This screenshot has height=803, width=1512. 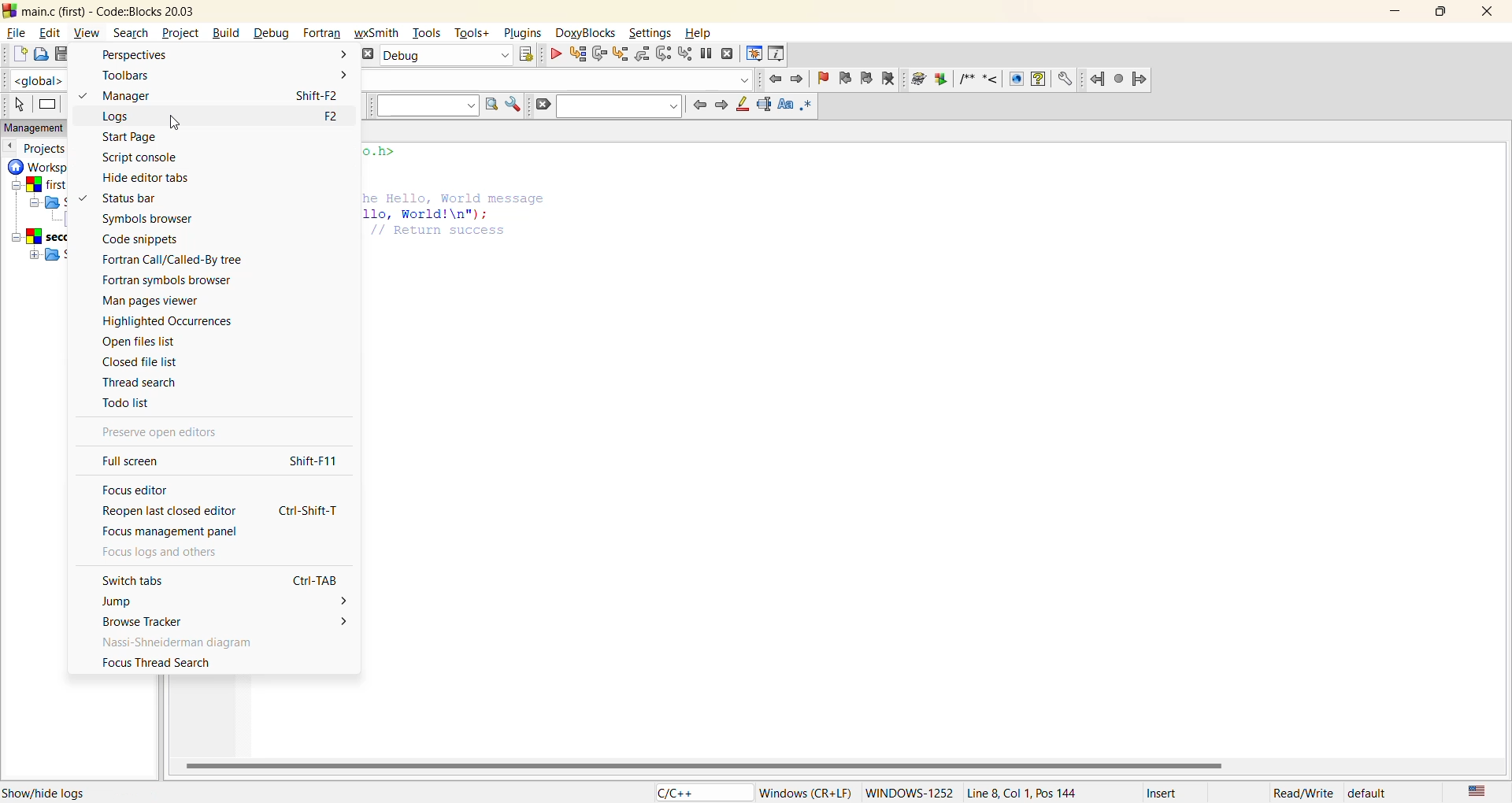 What do you see at coordinates (270, 33) in the screenshot?
I see `debug` at bounding box center [270, 33].